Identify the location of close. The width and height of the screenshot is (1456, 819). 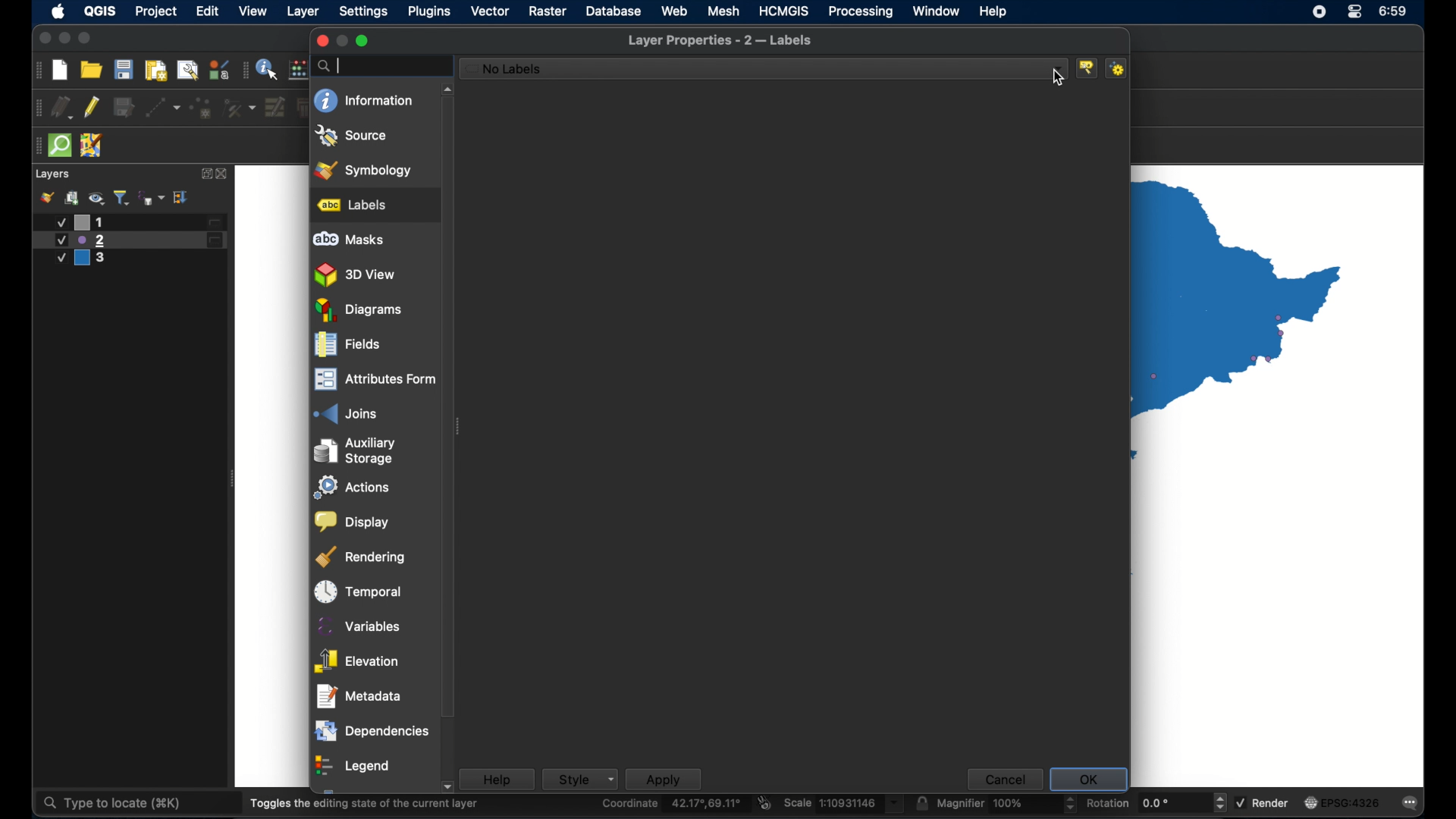
(42, 39).